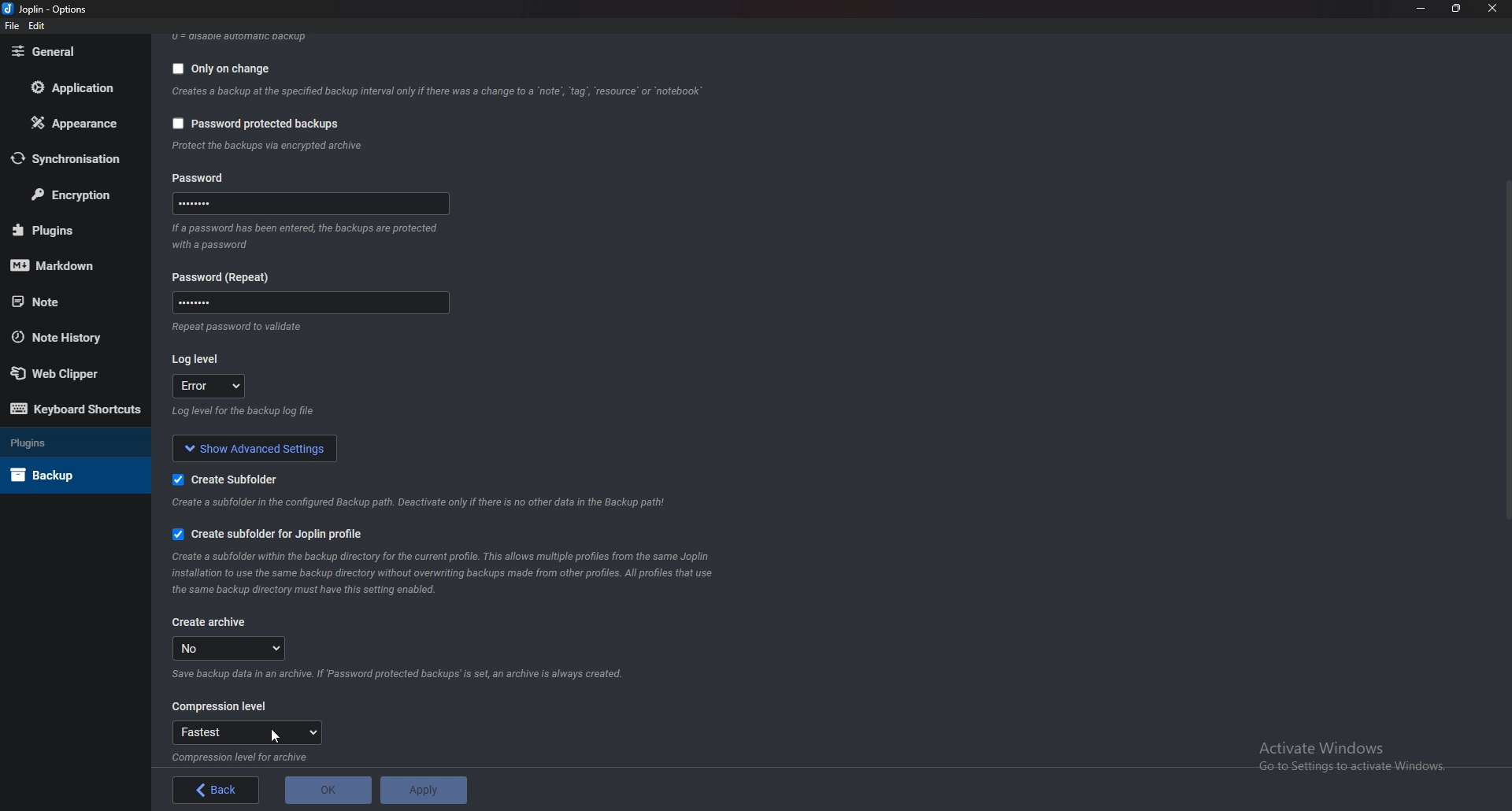  Describe the element at coordinates (13, 26) in the screenshot. I see `file` at that location.